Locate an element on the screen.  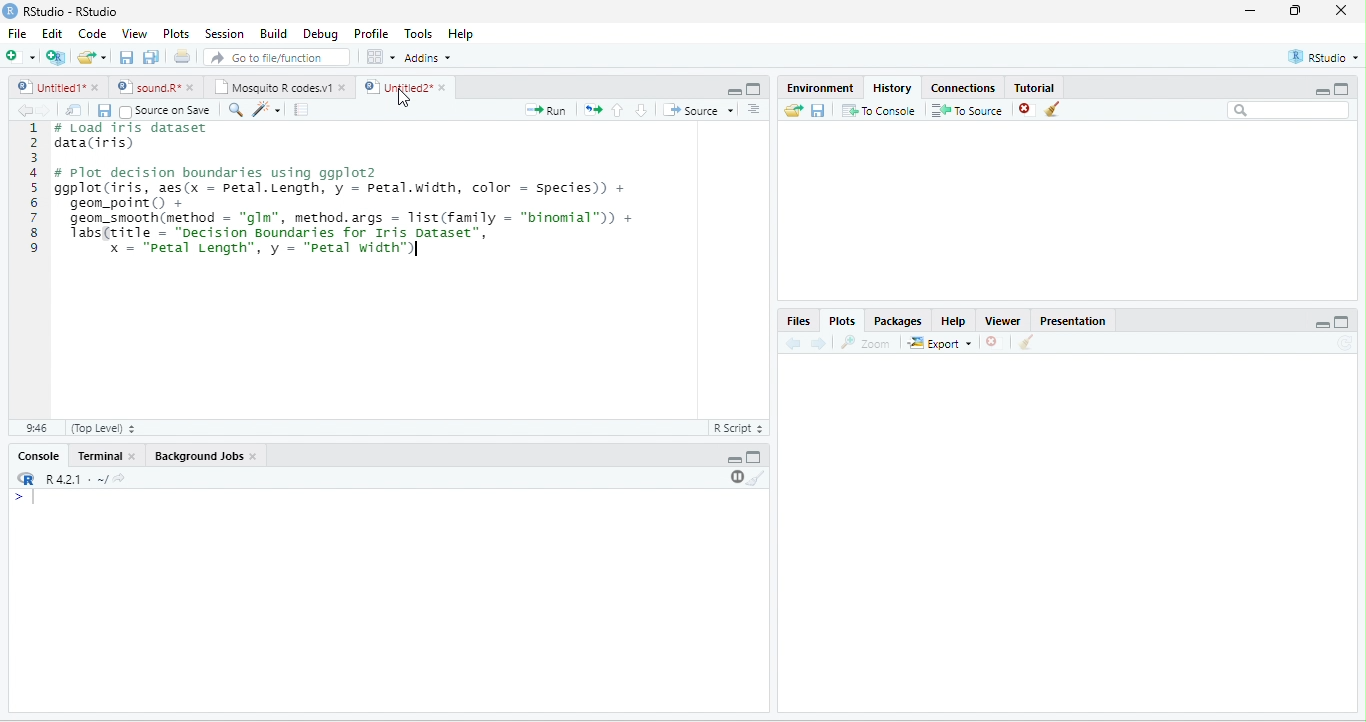
close is located at coordinates (1341, 10).